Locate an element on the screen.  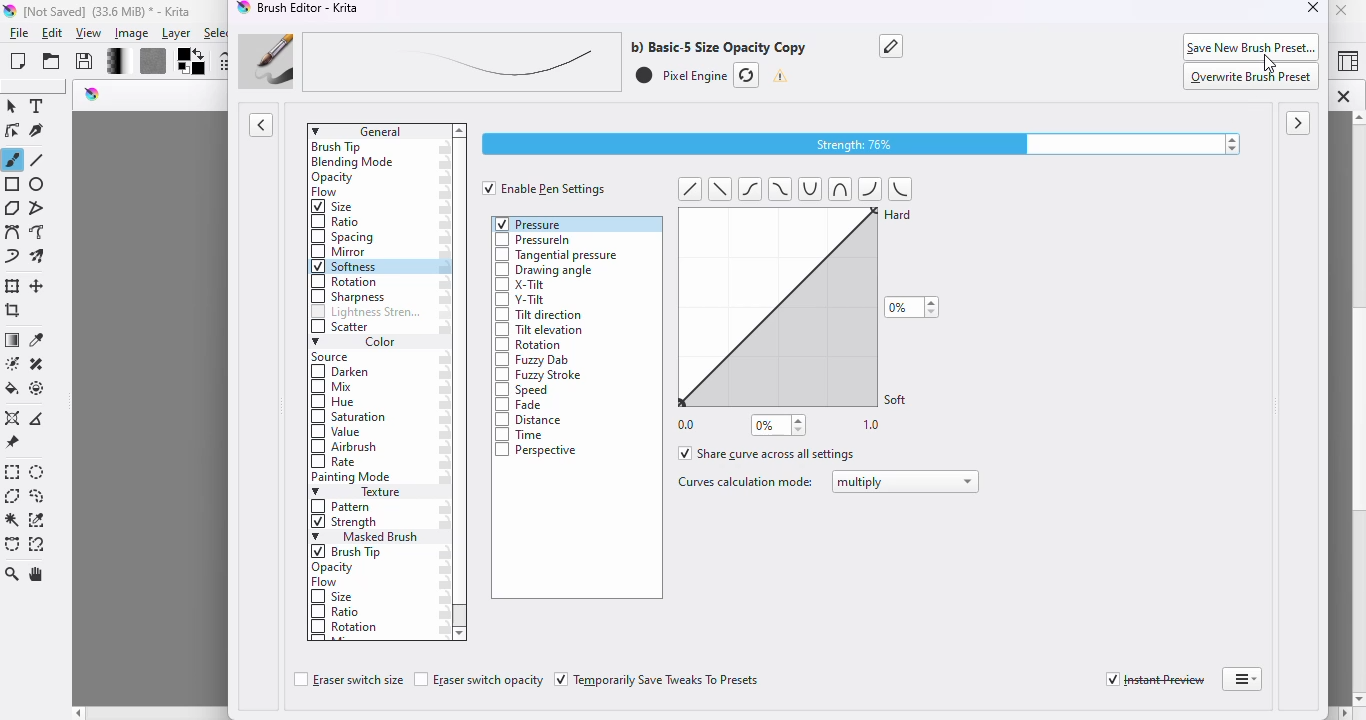
share curve across all settings is located at coordinates (768, 453).